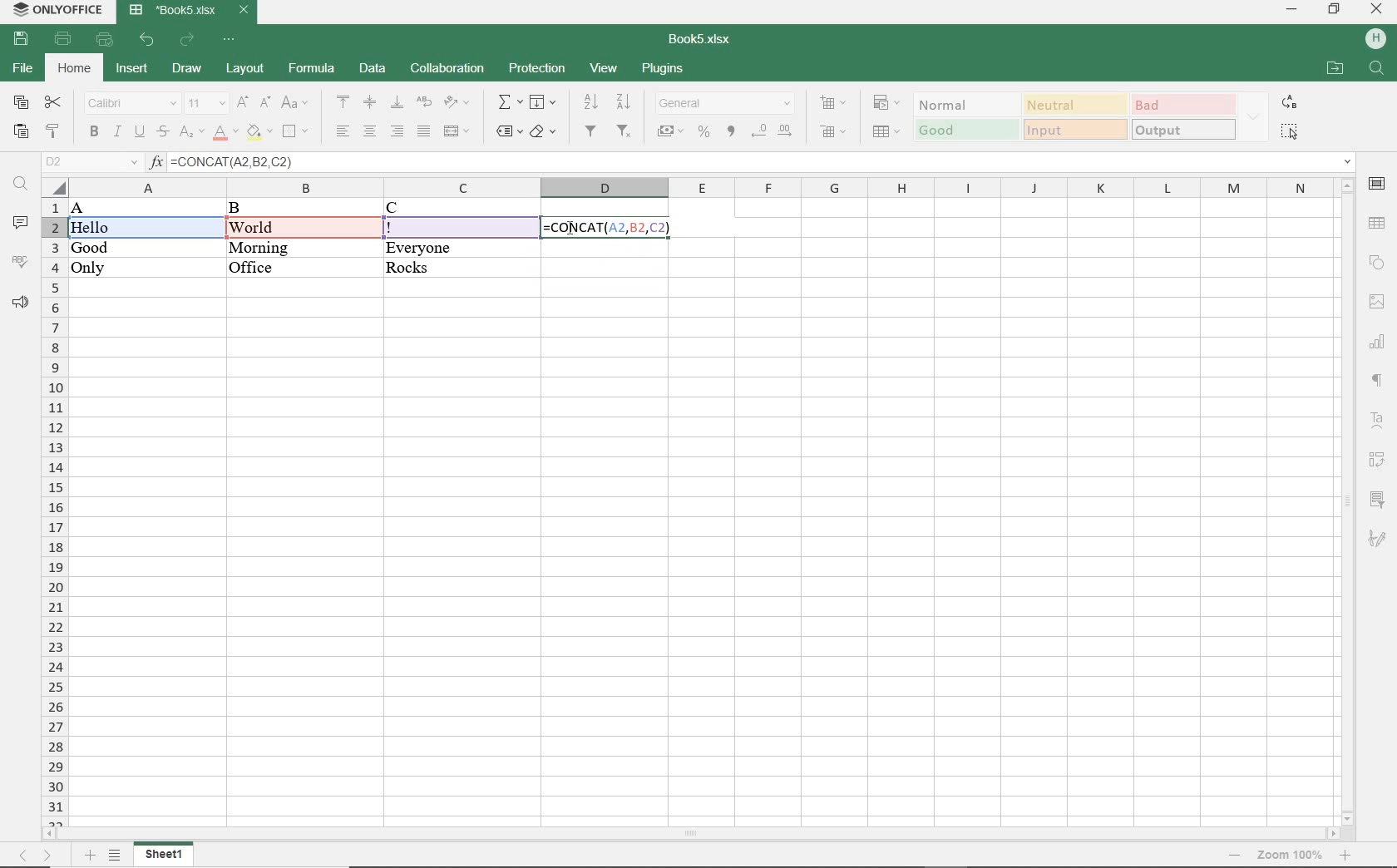 This screenshot has width=1397, height=868. Describe the element at coordinates (457, 132) in the screenshot. I see `MERGE & CENTER` at that location.